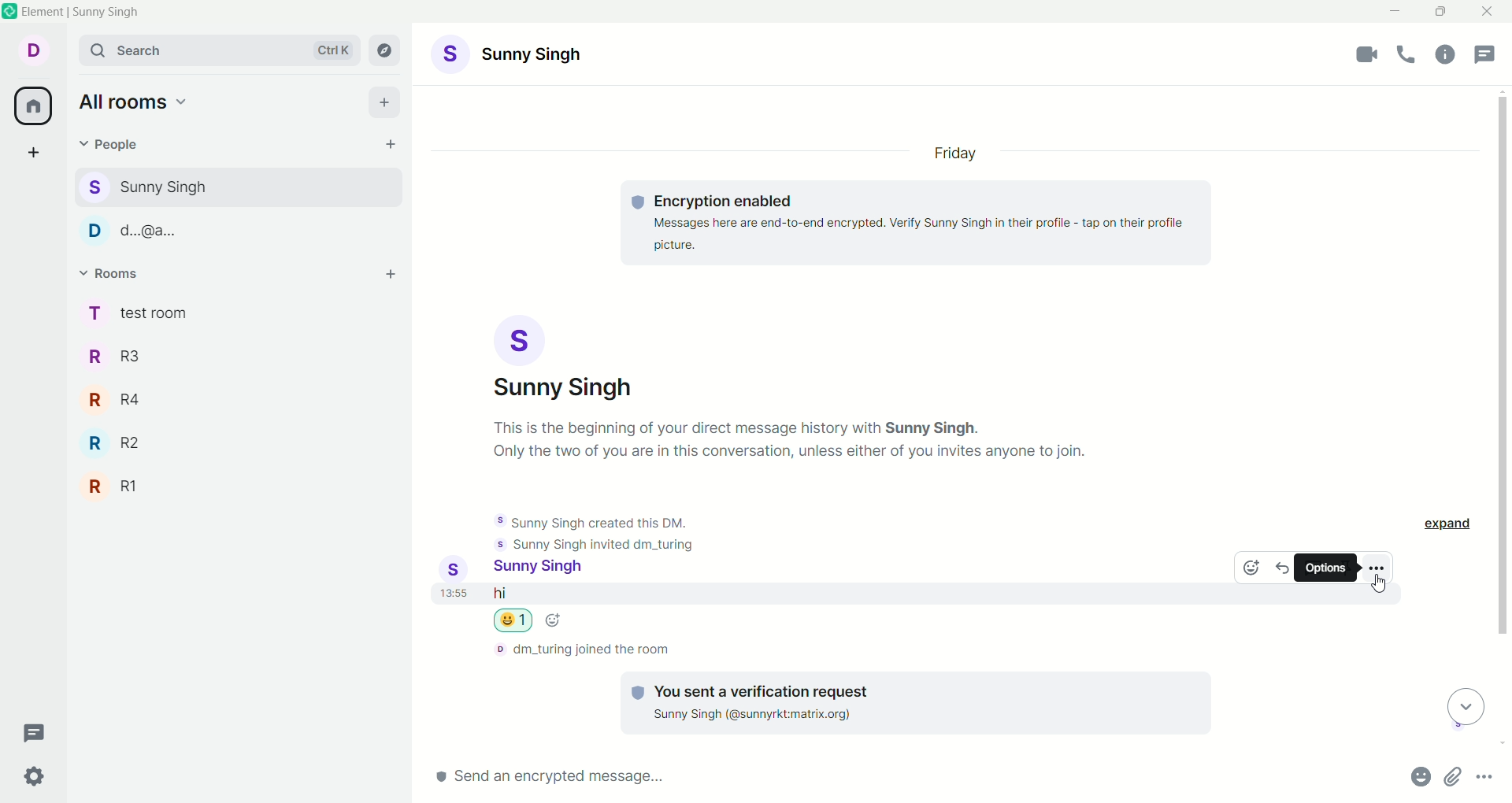 The width and height of the screenshot is (1512, 803). Describe the element at coordinates (123, 445) in the screenshot. I see `R2` at that location.